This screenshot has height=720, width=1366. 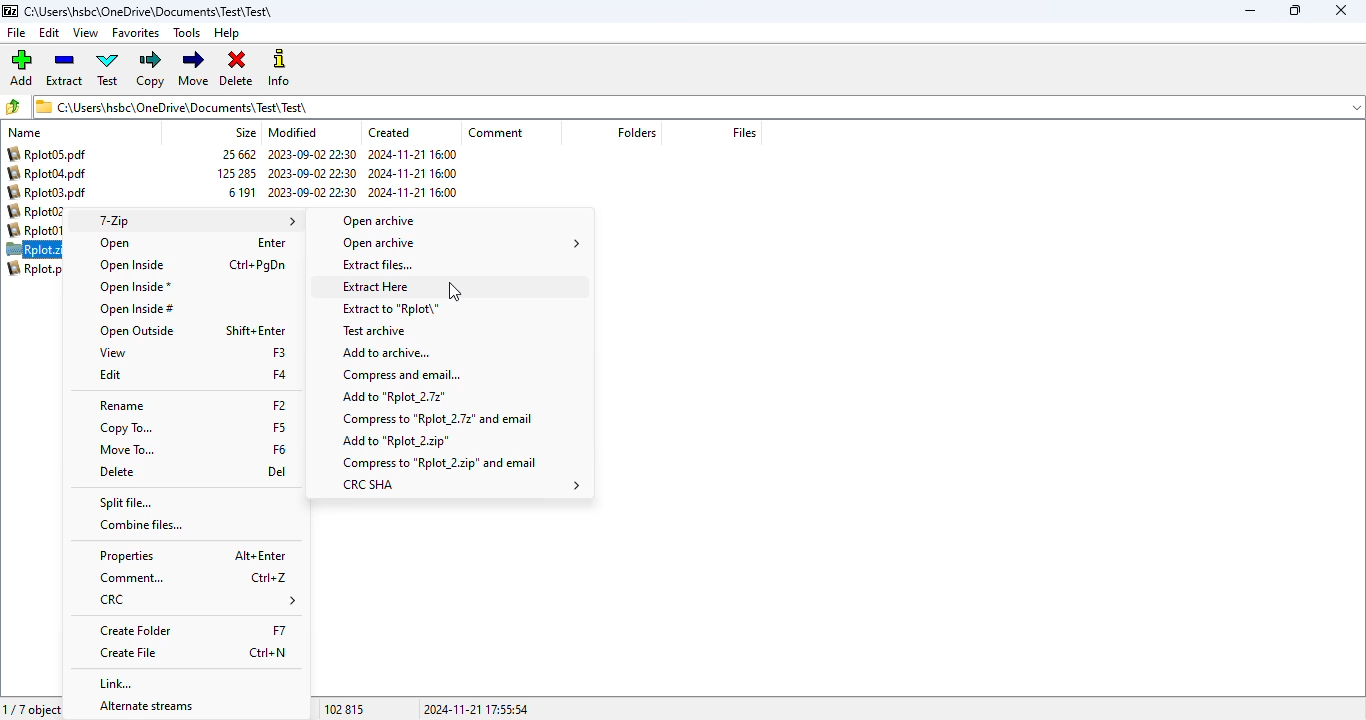 What do you see at coordinates (9, 11) in the screenshot?
I see `logo` at bounding box center [9, 11].